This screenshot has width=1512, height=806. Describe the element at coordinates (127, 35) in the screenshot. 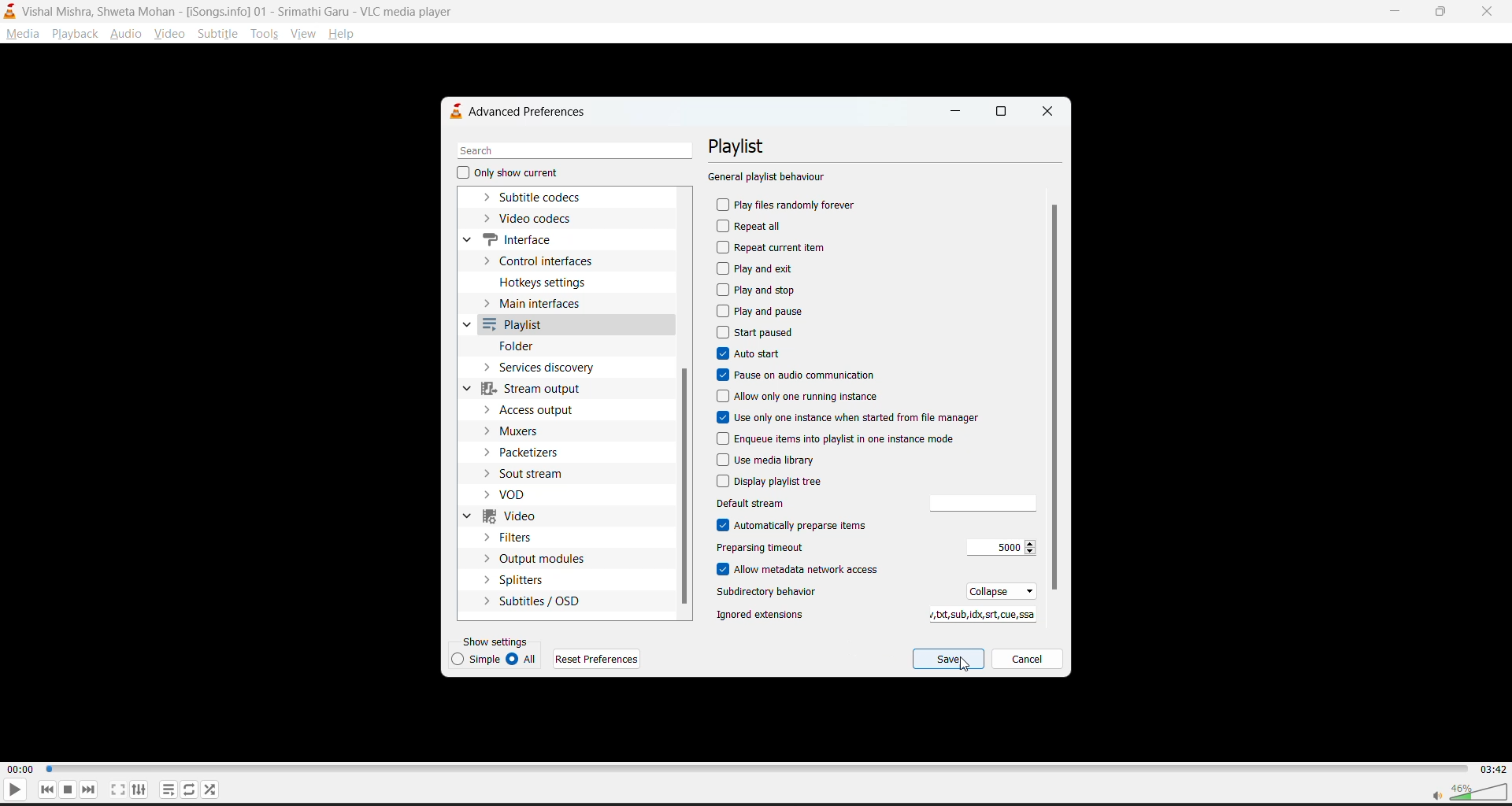

I see `audio` at that location.